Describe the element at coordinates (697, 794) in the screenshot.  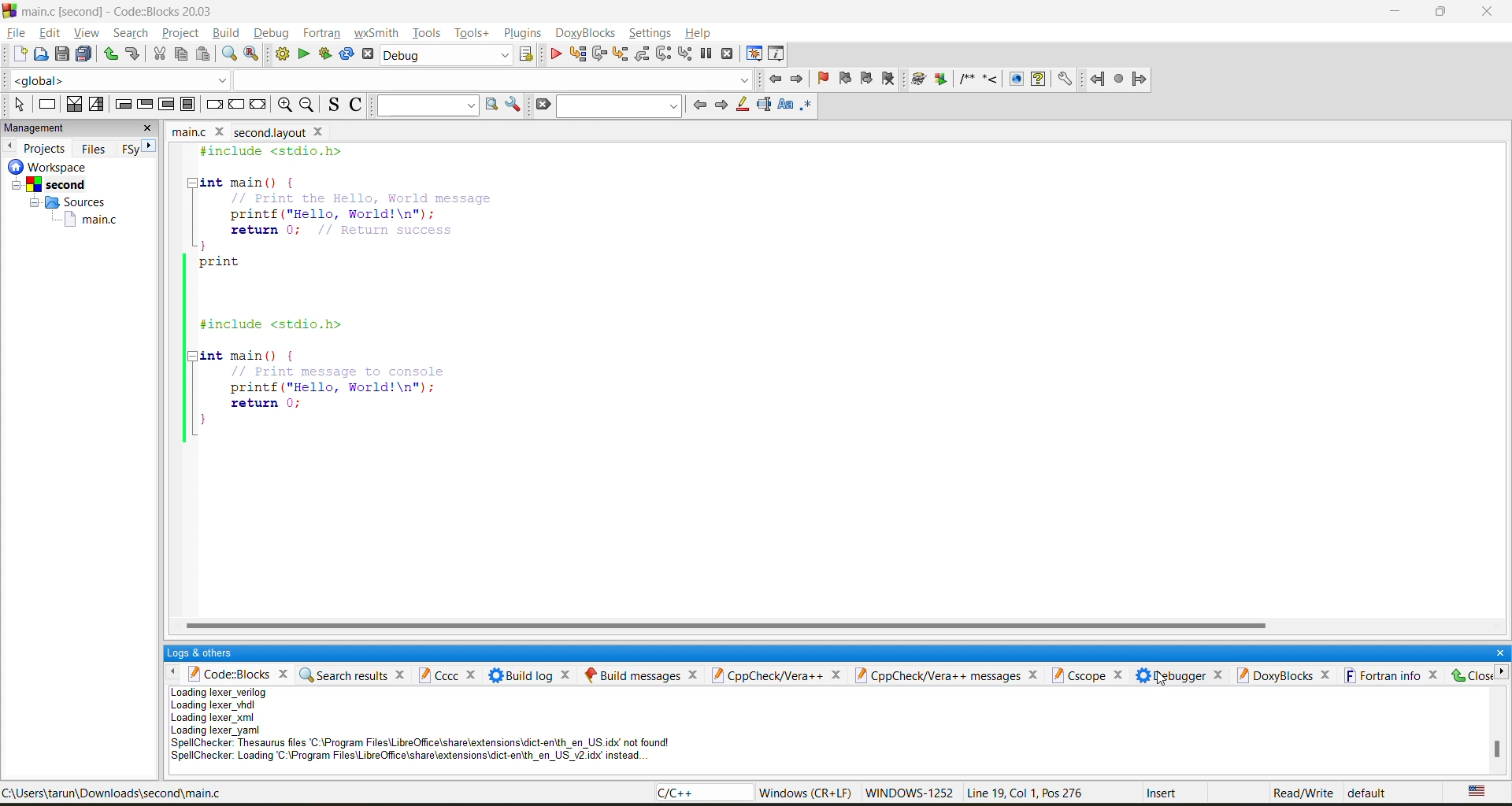
I see `language` at that location.